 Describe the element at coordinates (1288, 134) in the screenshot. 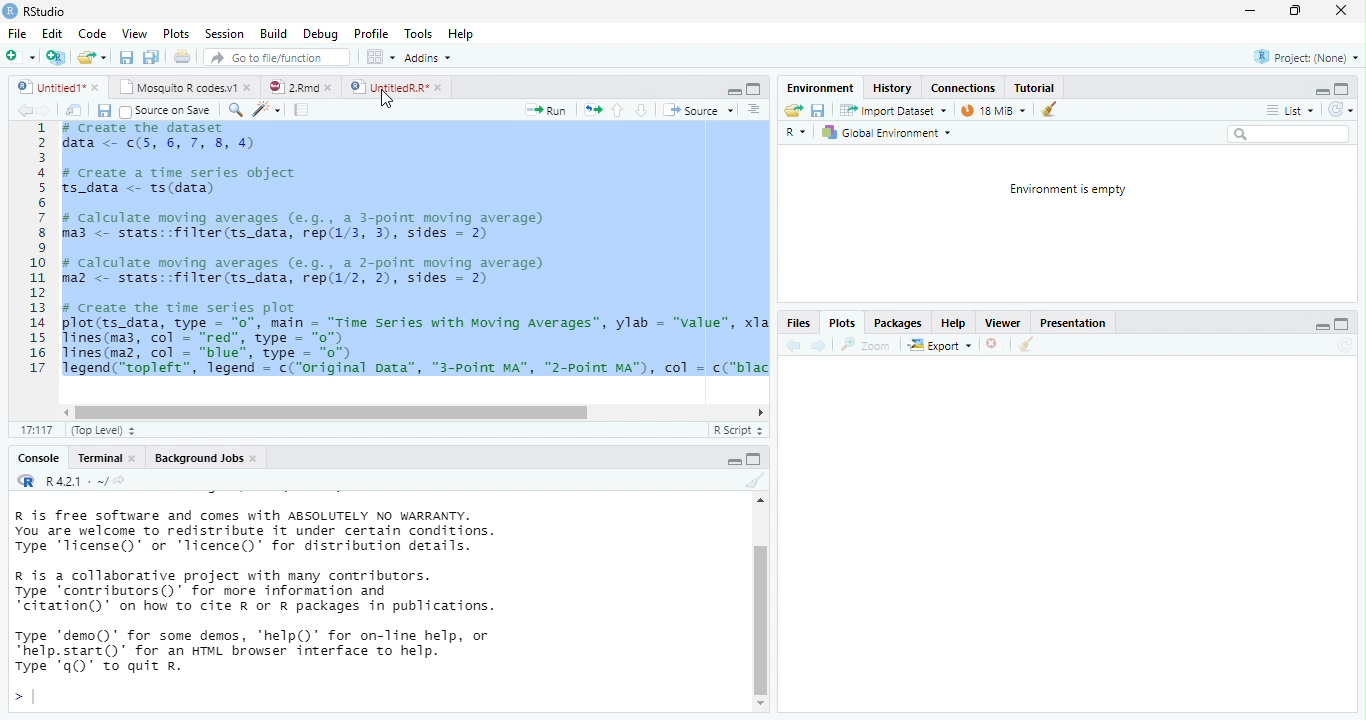

I see `search` at that location.